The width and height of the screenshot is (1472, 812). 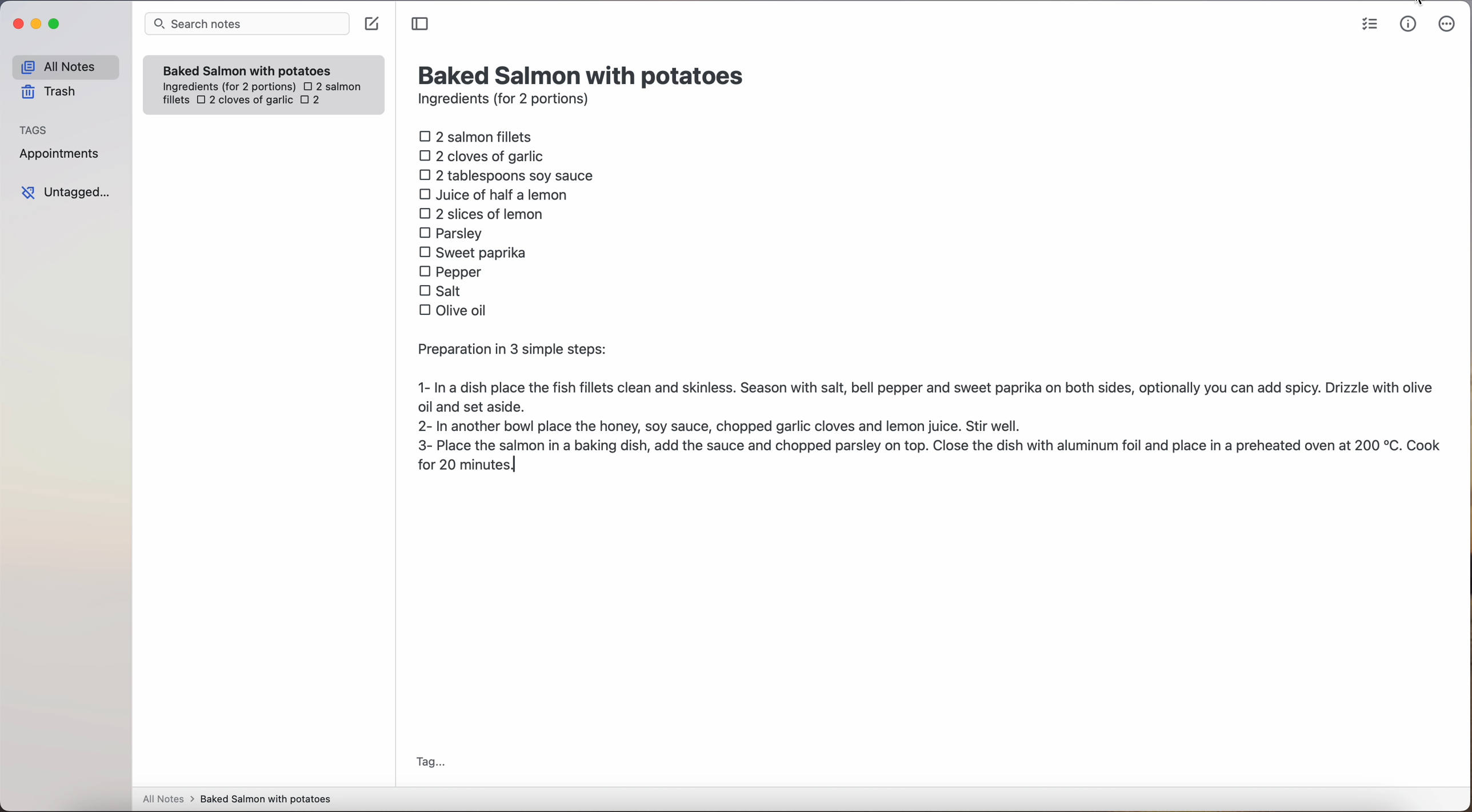 I want to click on appointments tag, so click(x=61, y=151).